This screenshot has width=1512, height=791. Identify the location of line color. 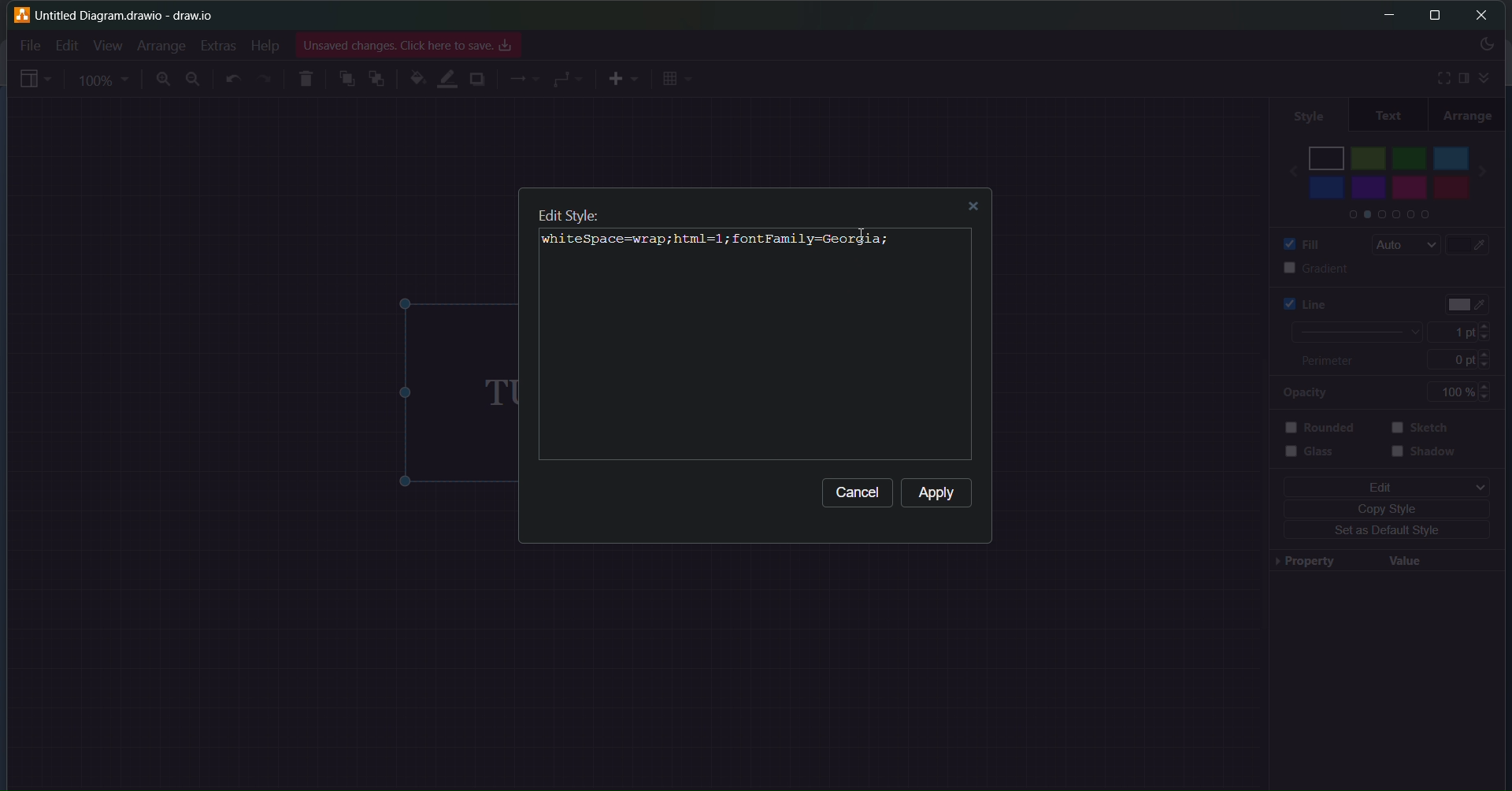
(447, 77).